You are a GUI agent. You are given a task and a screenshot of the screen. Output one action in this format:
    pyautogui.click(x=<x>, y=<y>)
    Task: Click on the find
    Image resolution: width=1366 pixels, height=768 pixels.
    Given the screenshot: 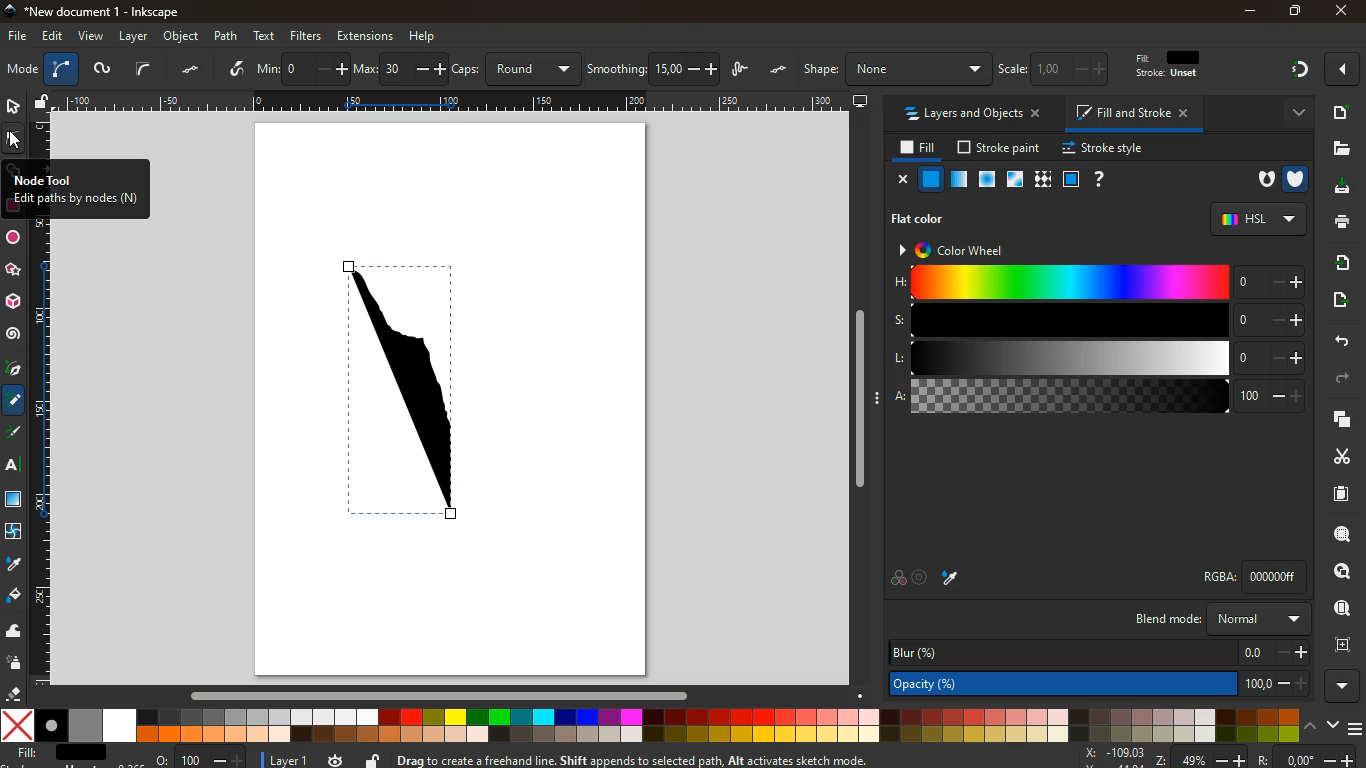 What is the action you would take?
    pyautogui.click(x=1335, y=572)
    